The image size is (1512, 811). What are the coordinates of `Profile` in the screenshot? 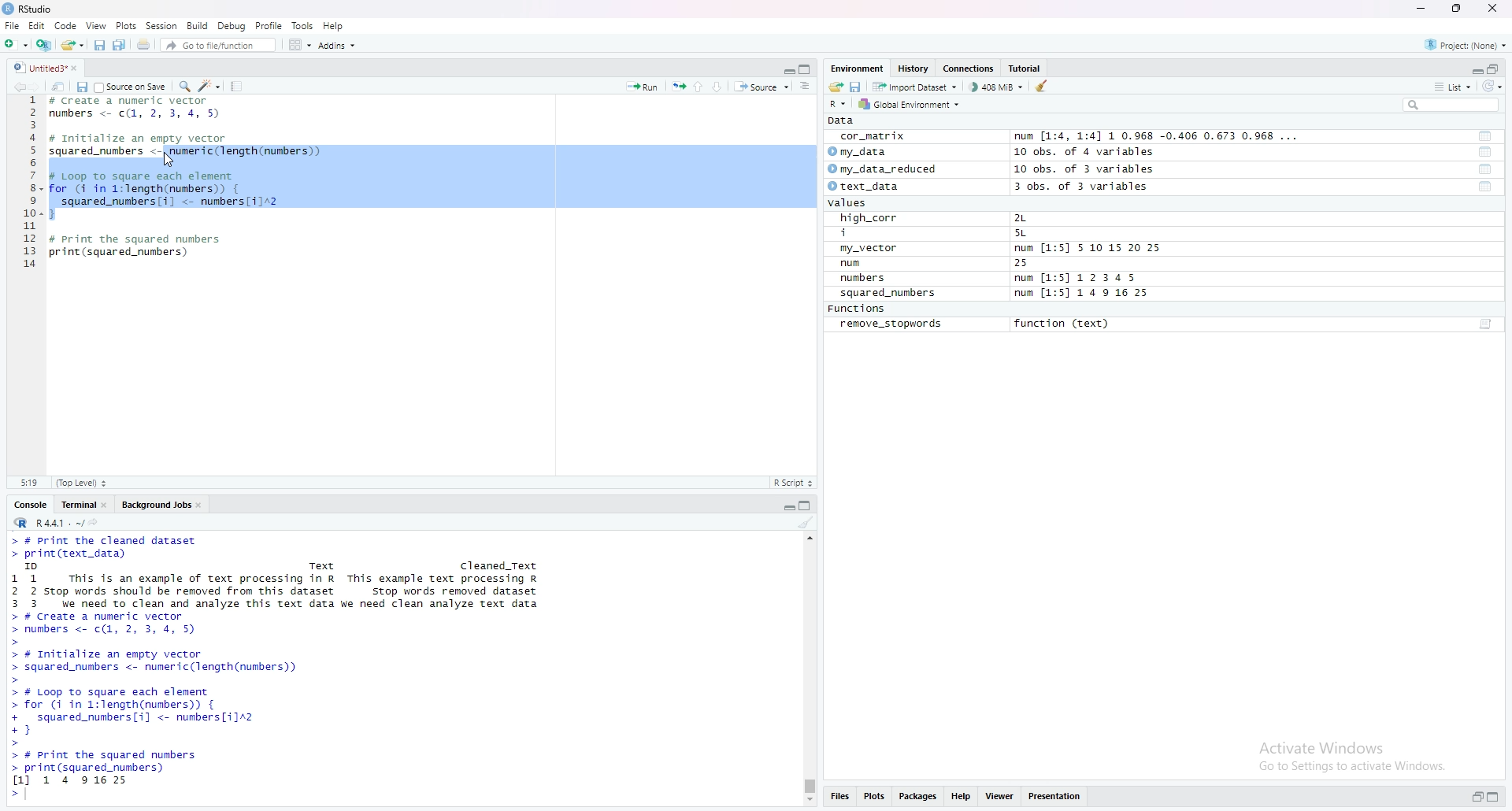 It's located at (269, 25).